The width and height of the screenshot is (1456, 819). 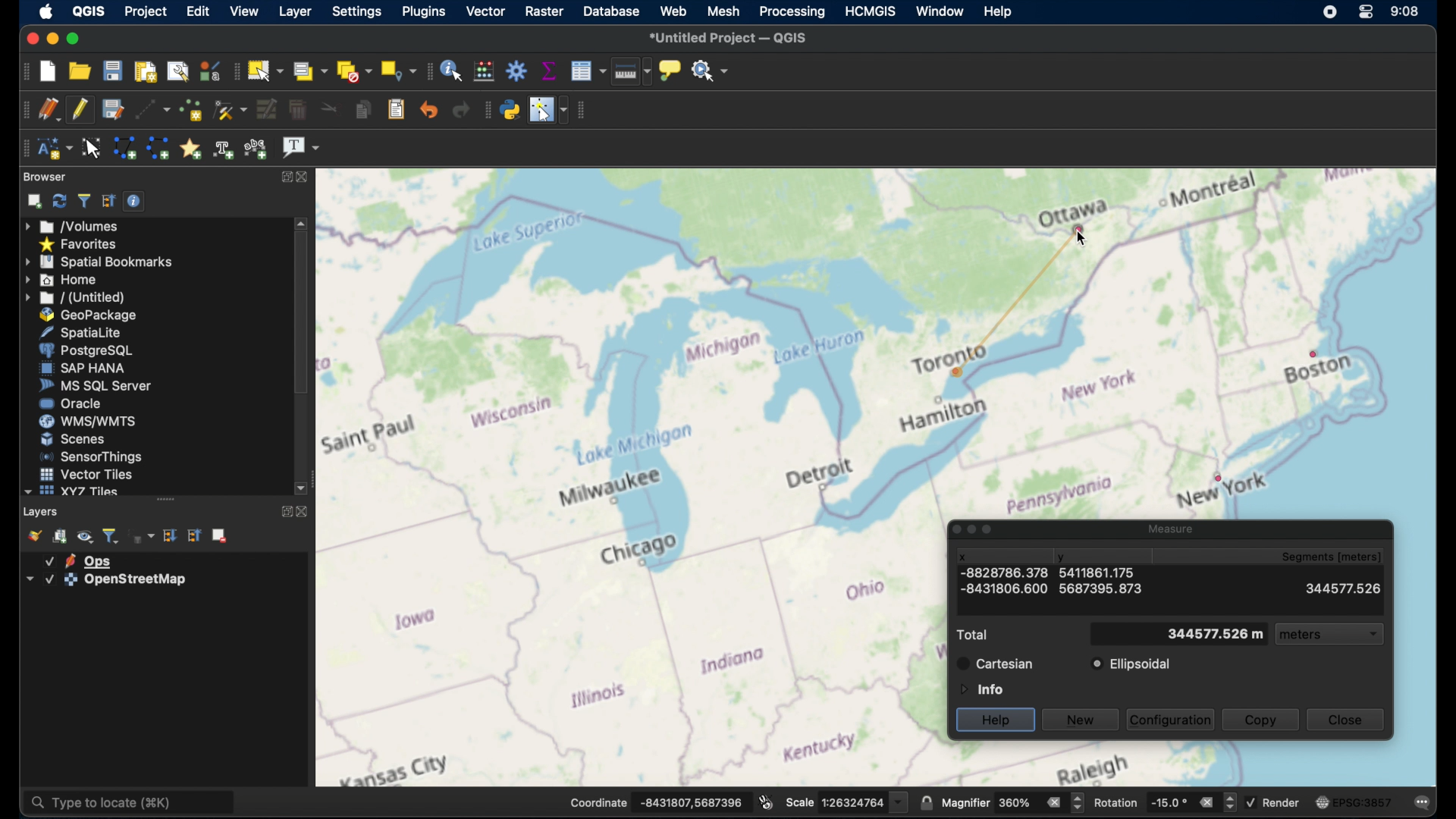 What do you see at coordinates (1330, 558) in the screenshot?
I see `segments meters` at bounding box center [1330, 558].